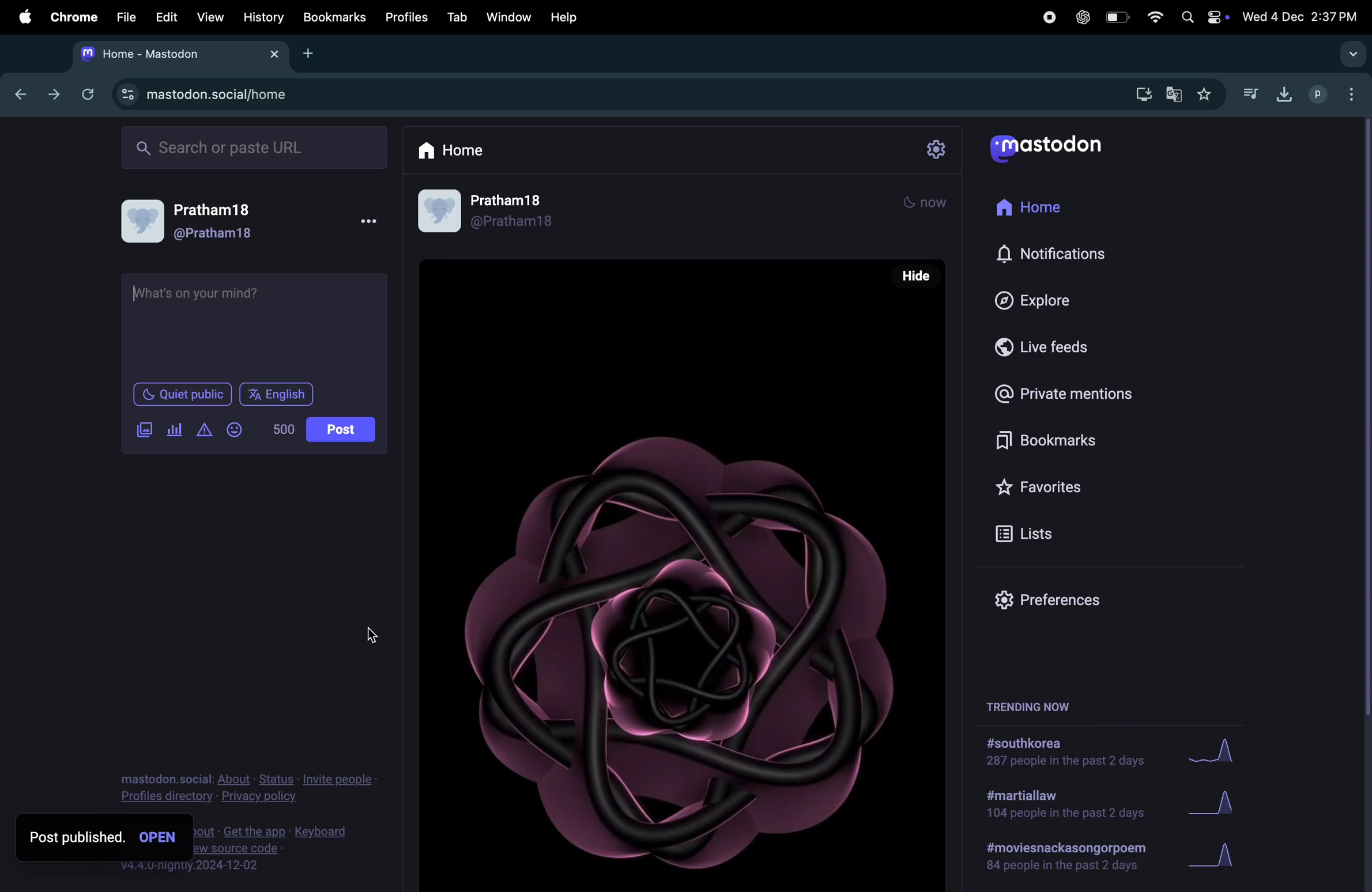 This screenshot has width=1372, height=892. Describe the element at coordinates (1281, 93) in the screenshot. I see `downloads` at that location.